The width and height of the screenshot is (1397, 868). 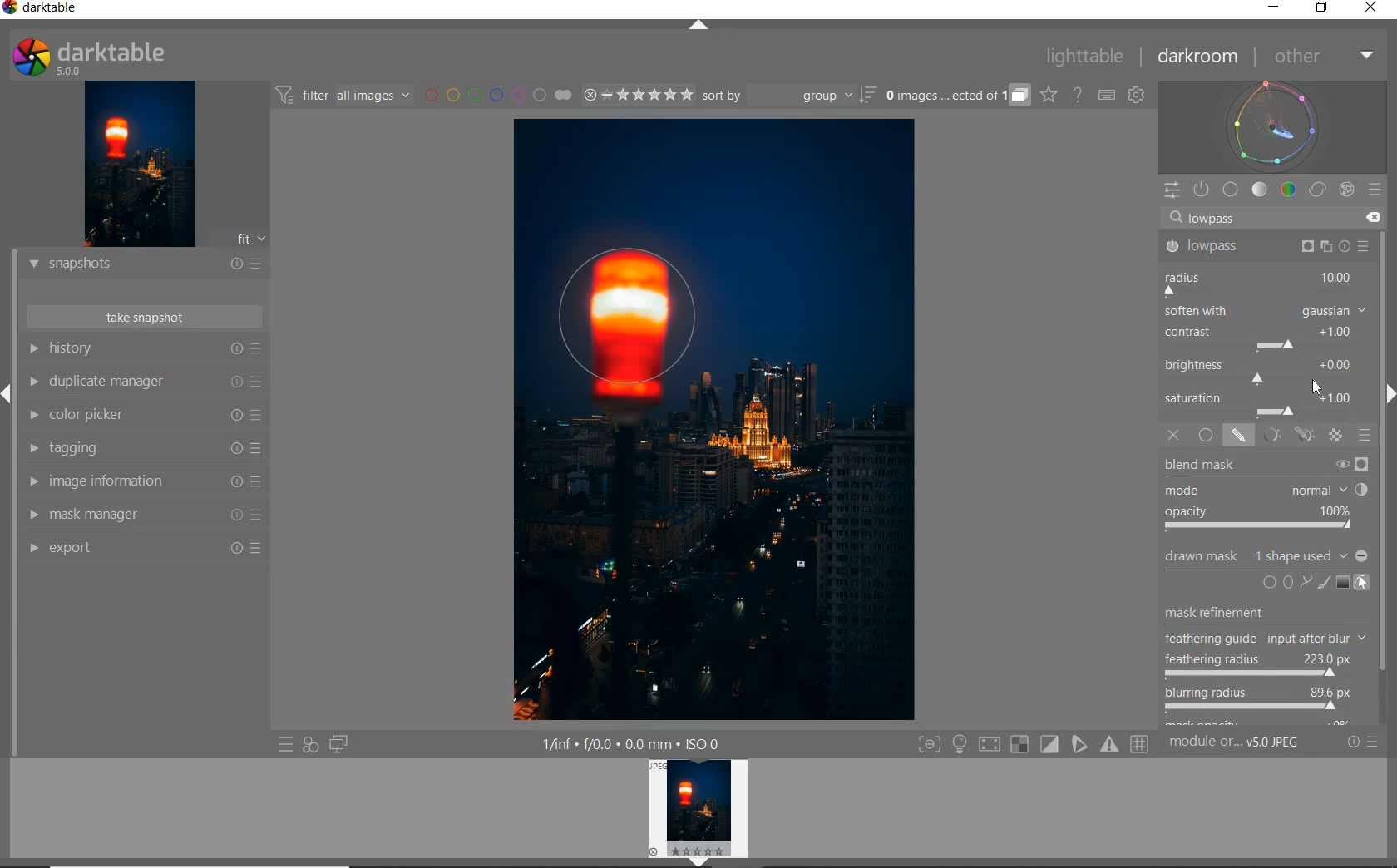 I want to click on CURSOR, so click(x=1336, y=716).